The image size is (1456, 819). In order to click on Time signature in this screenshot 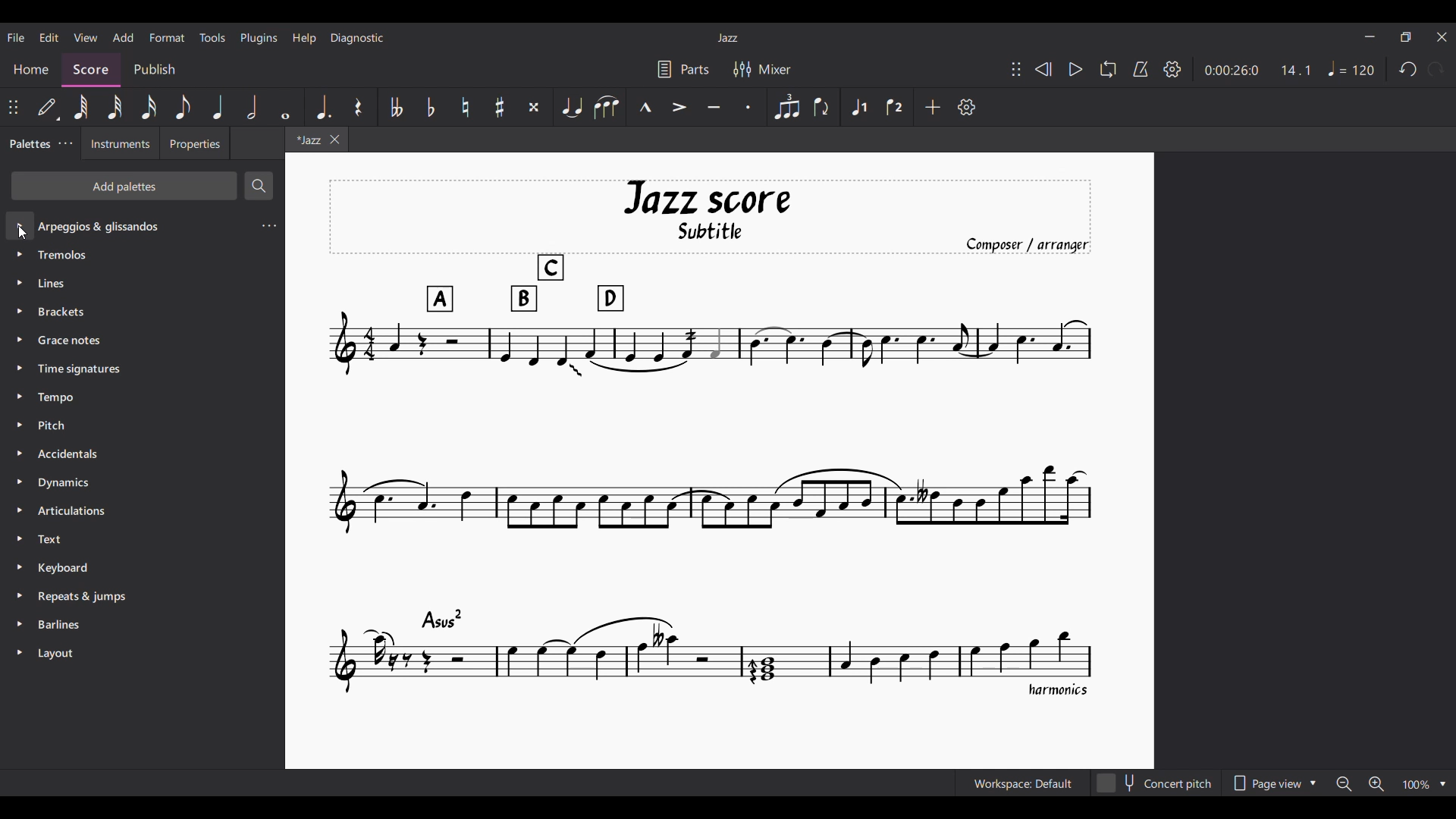, I will do `click(82, 370)`.